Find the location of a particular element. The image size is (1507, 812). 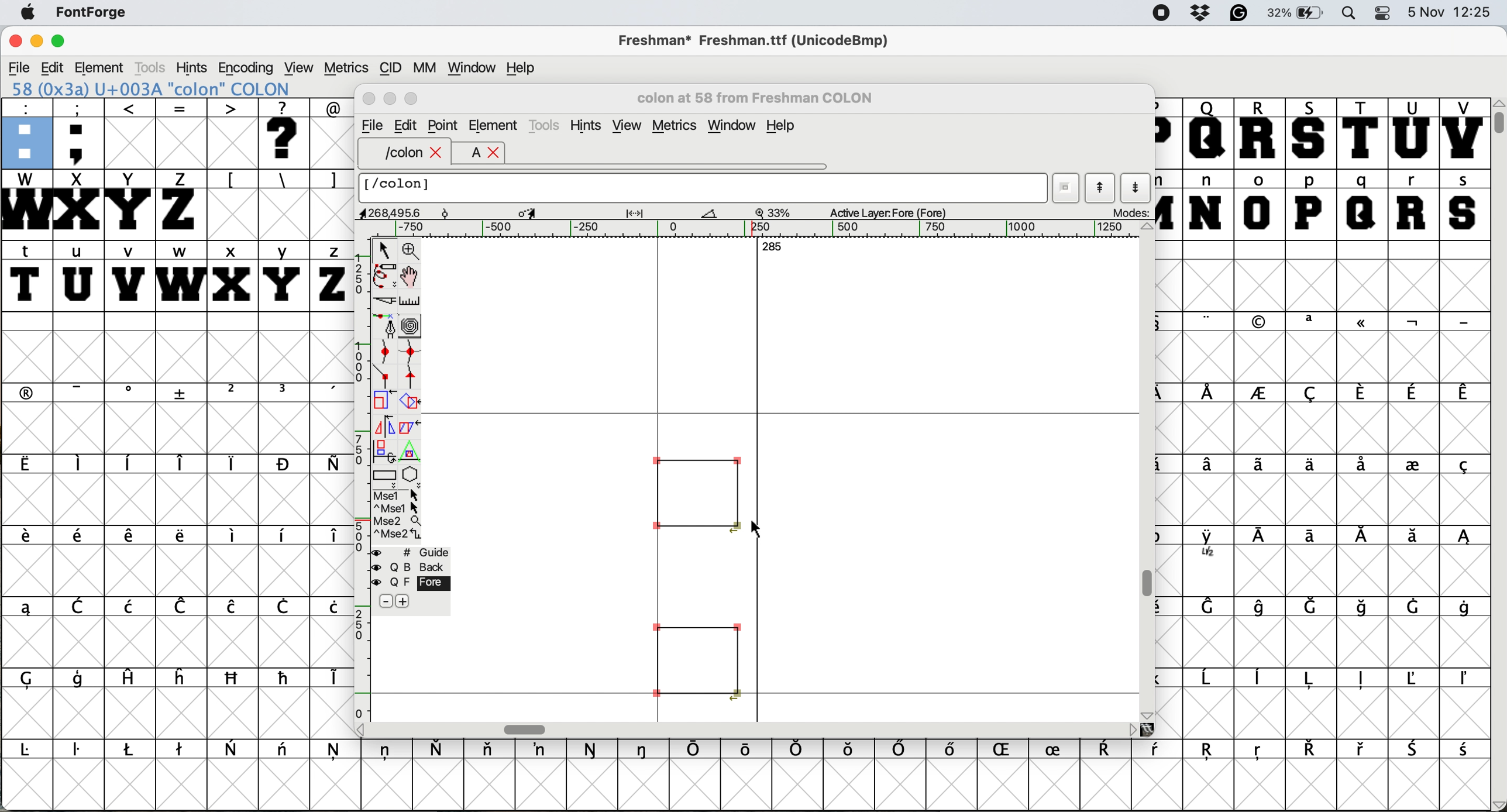

t is located at coordinates (27, 275).